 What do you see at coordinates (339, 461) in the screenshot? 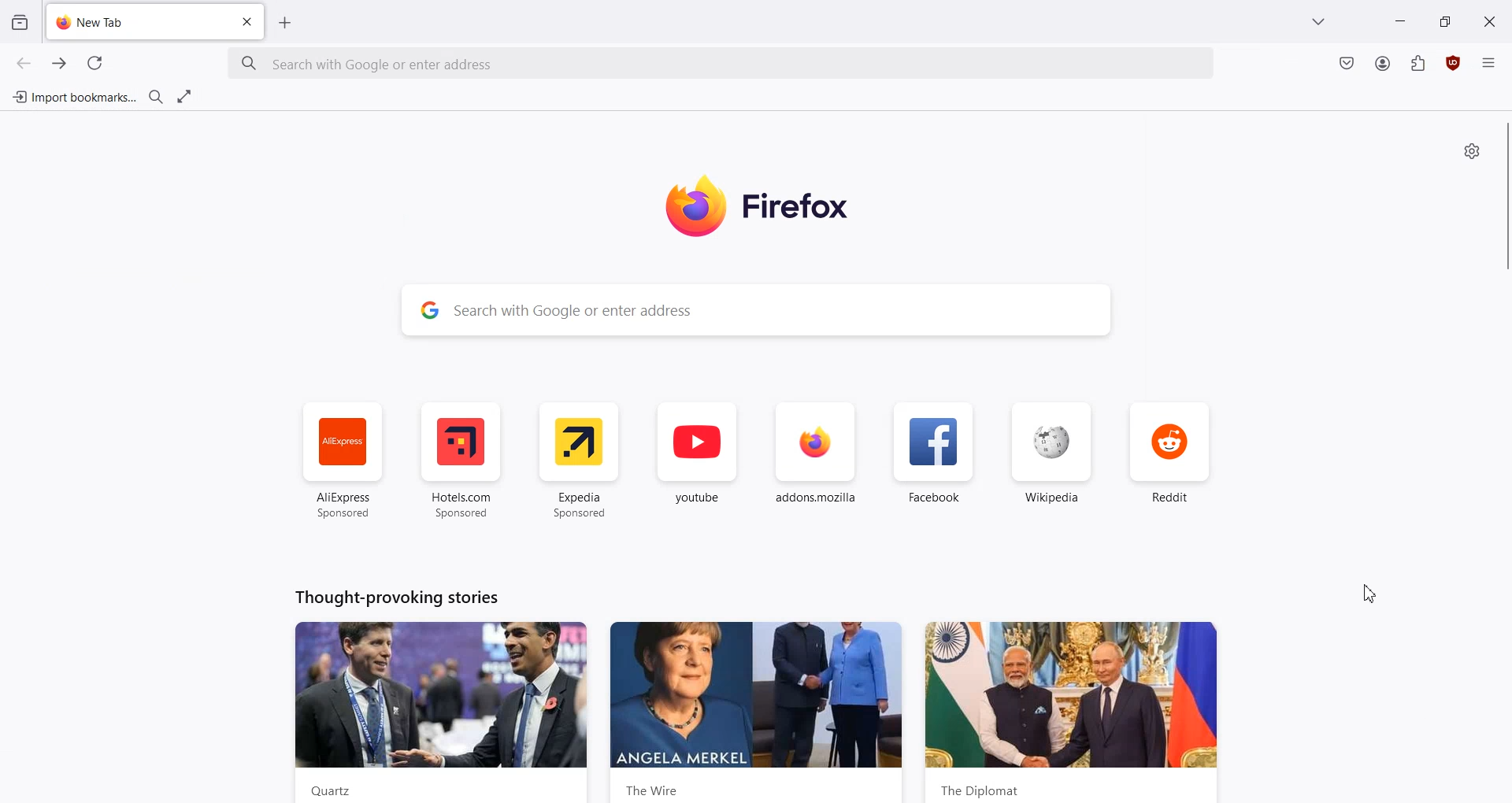
I see `AliExpress Sponsored` at bounding box center [339, 461].